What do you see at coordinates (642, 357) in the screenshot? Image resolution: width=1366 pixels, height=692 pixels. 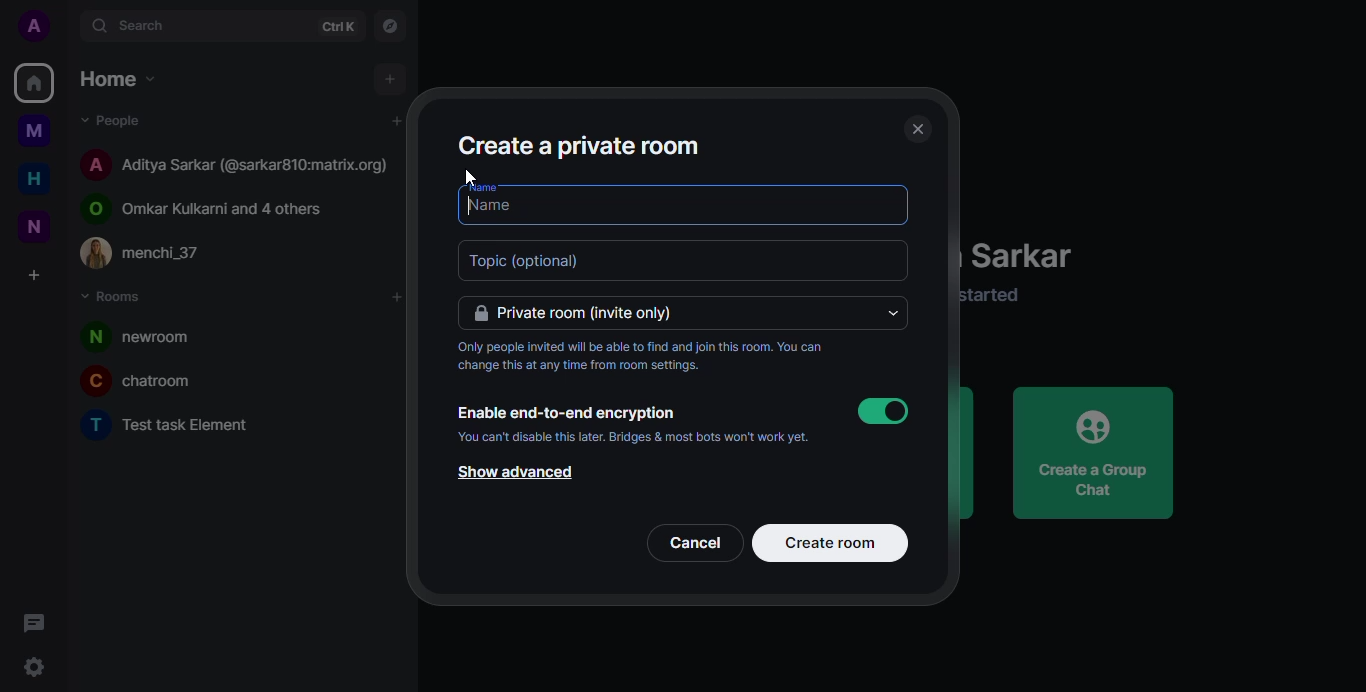 I see `info- only people invited will be able to find and join this room.` at bounding box center [642, 357].